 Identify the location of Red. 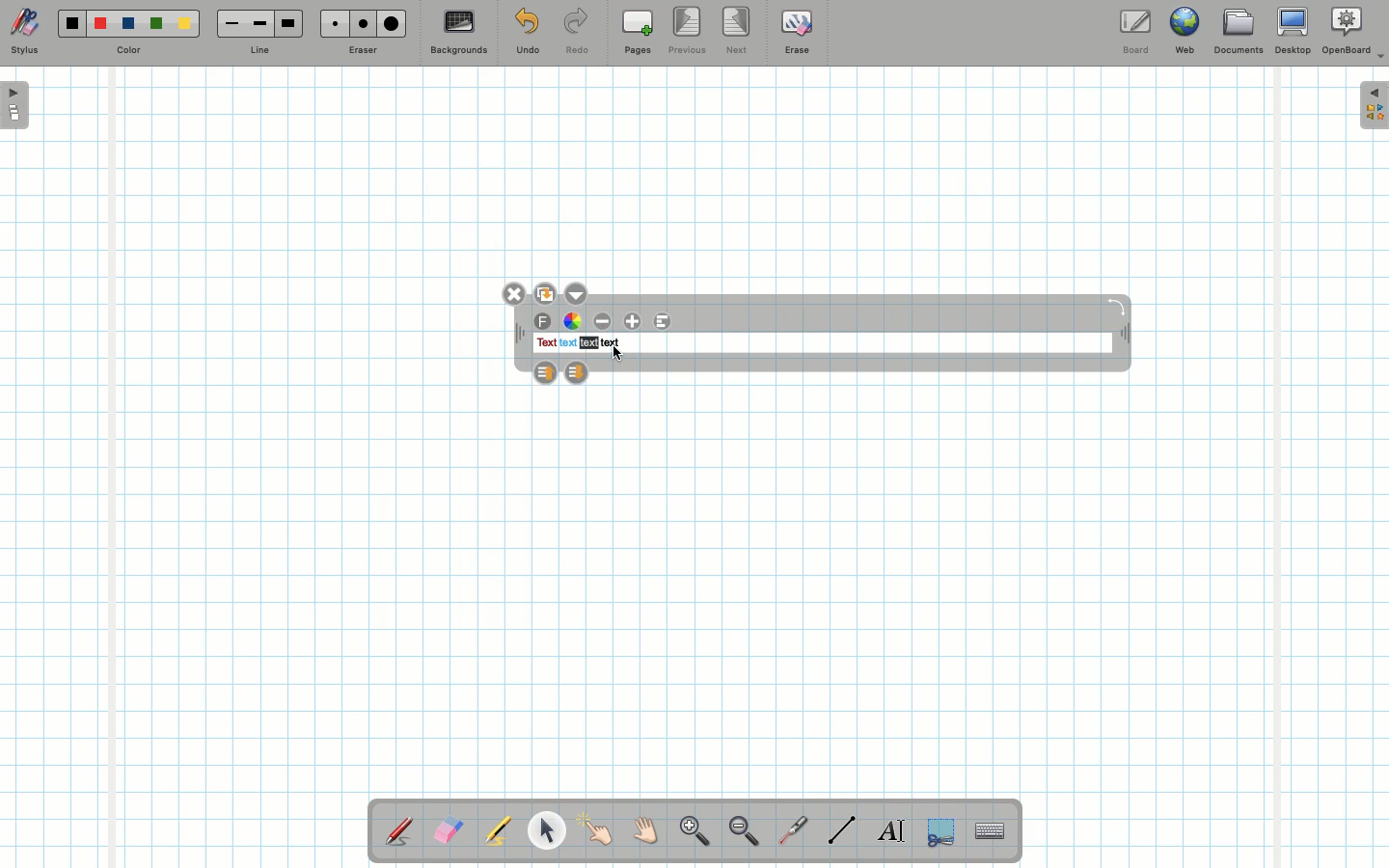
(101, 24).